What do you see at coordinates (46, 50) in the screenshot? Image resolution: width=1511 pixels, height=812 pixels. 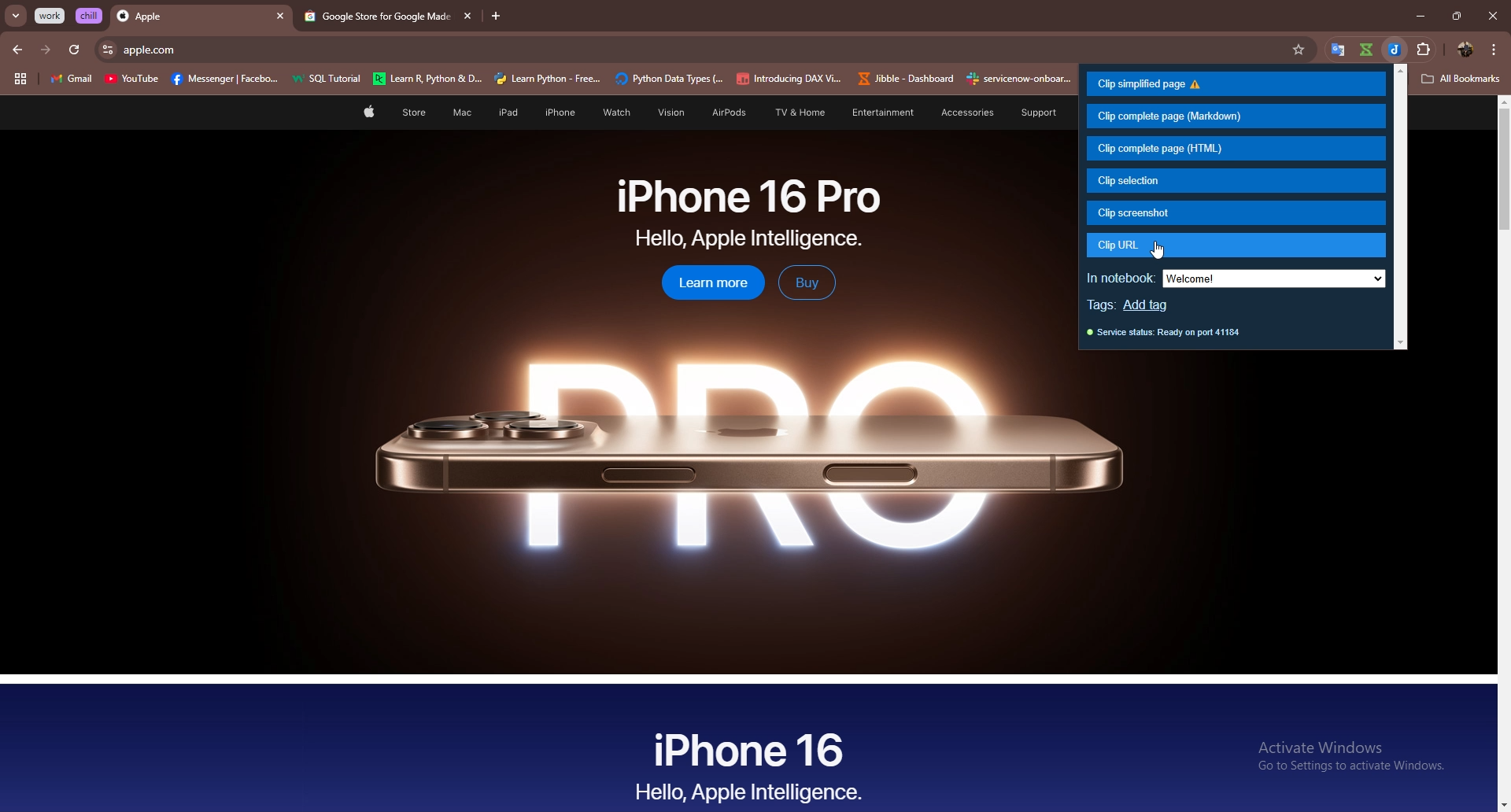 I see `forward` at bounding box center [46, 50].